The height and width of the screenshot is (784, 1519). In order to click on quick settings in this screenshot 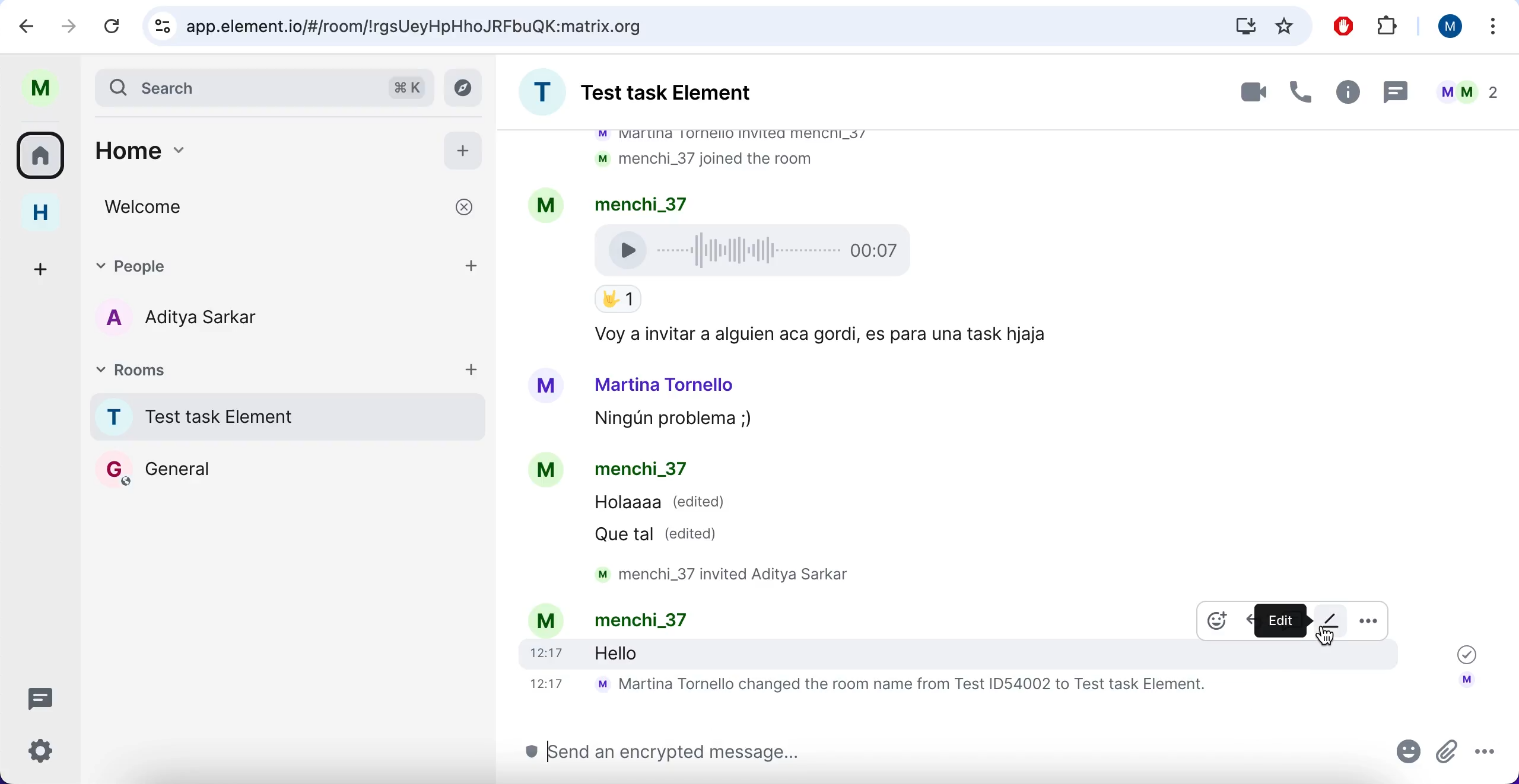, I will do `click(41, 749)`.